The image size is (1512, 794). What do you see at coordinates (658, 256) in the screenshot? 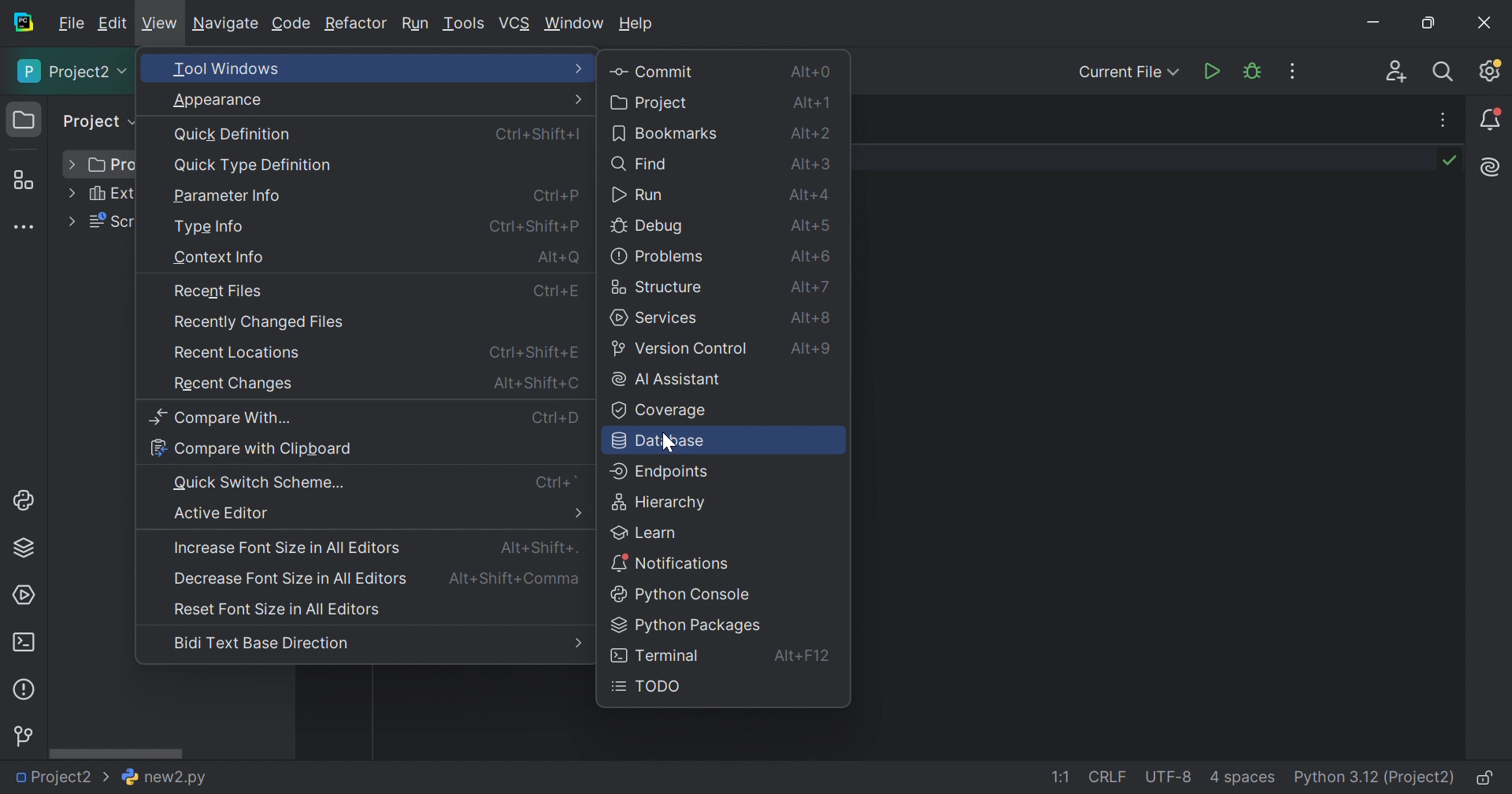
I see `Problems` at bounding box center [658, 256].